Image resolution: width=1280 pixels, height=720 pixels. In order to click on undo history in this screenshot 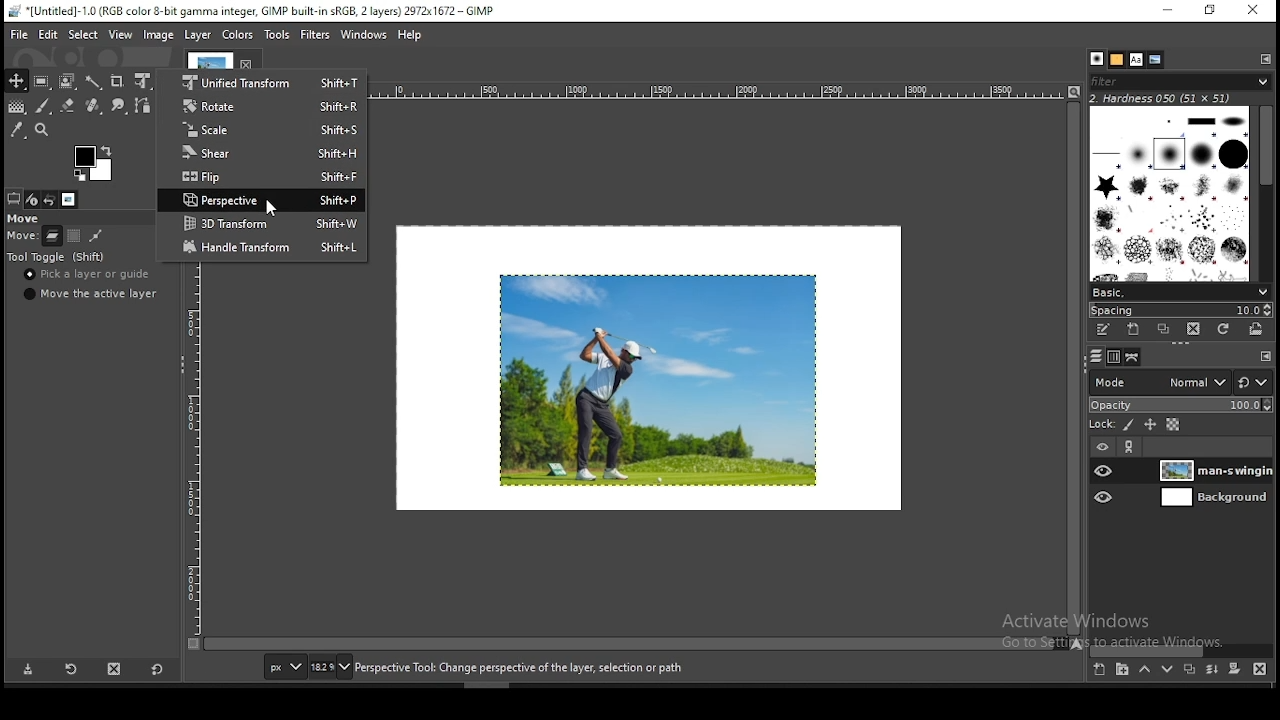, I will do `click(51, 199)`.